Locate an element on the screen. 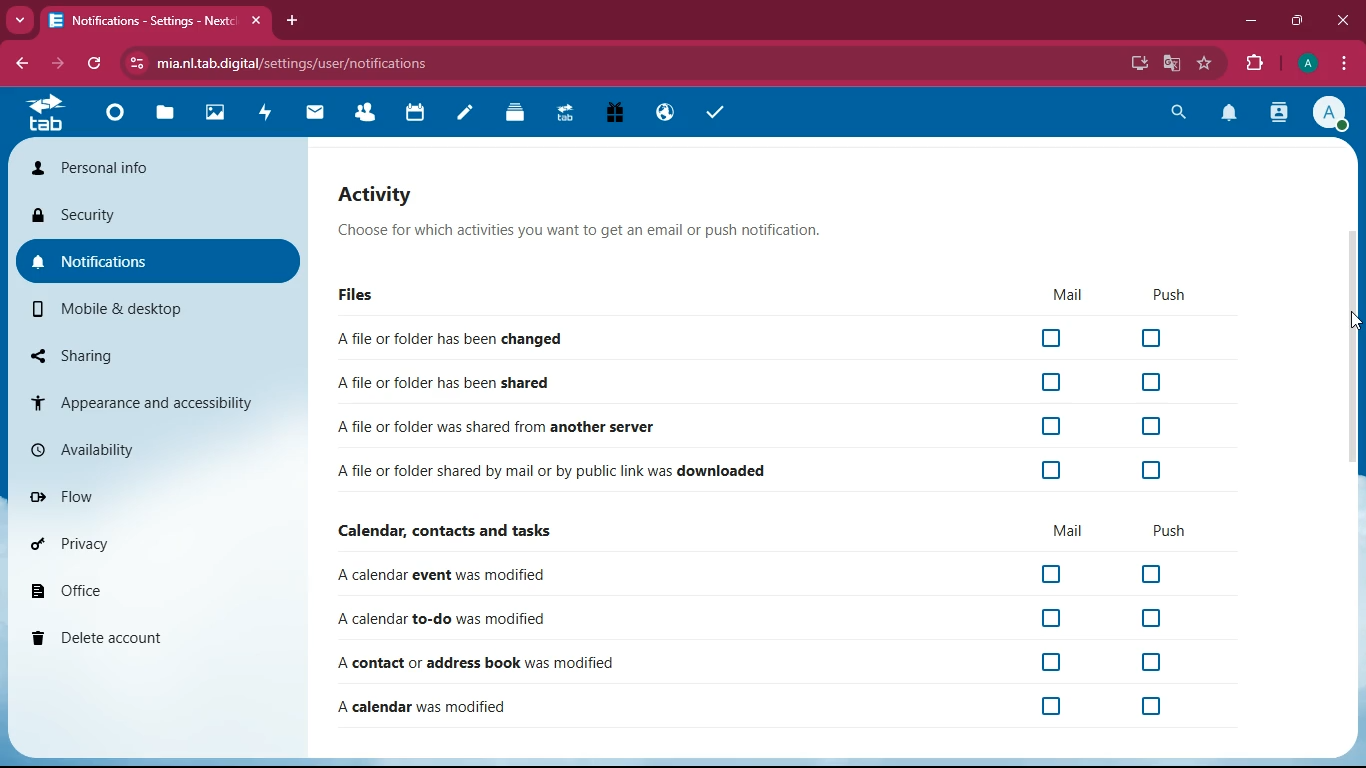  A file or folder was shared from another server is located at coordinates (752, 428).